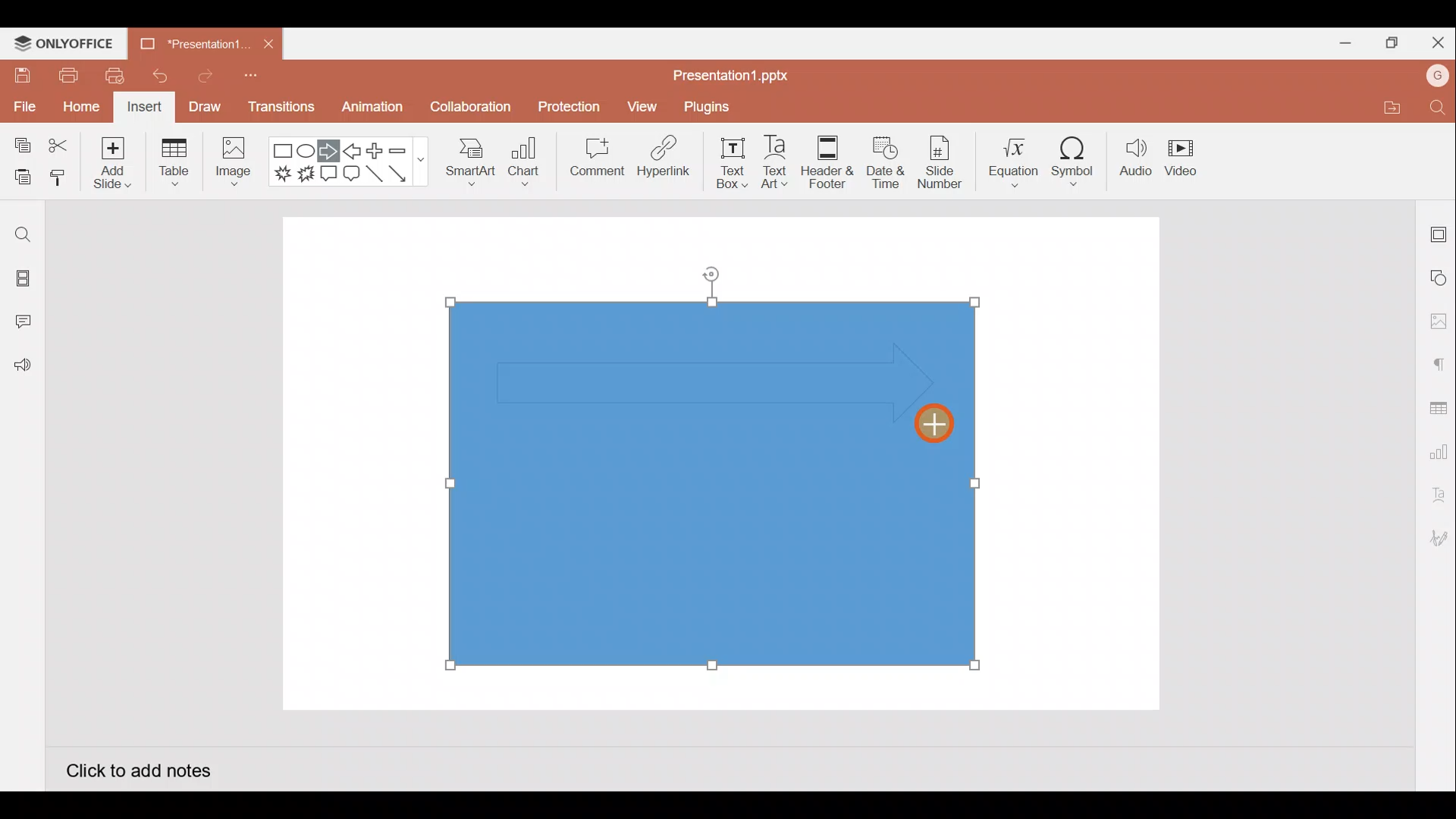  What do you see at coordinates (268, 40) in the screenshot?
I see `Close document` at bounding box center [268, 40].